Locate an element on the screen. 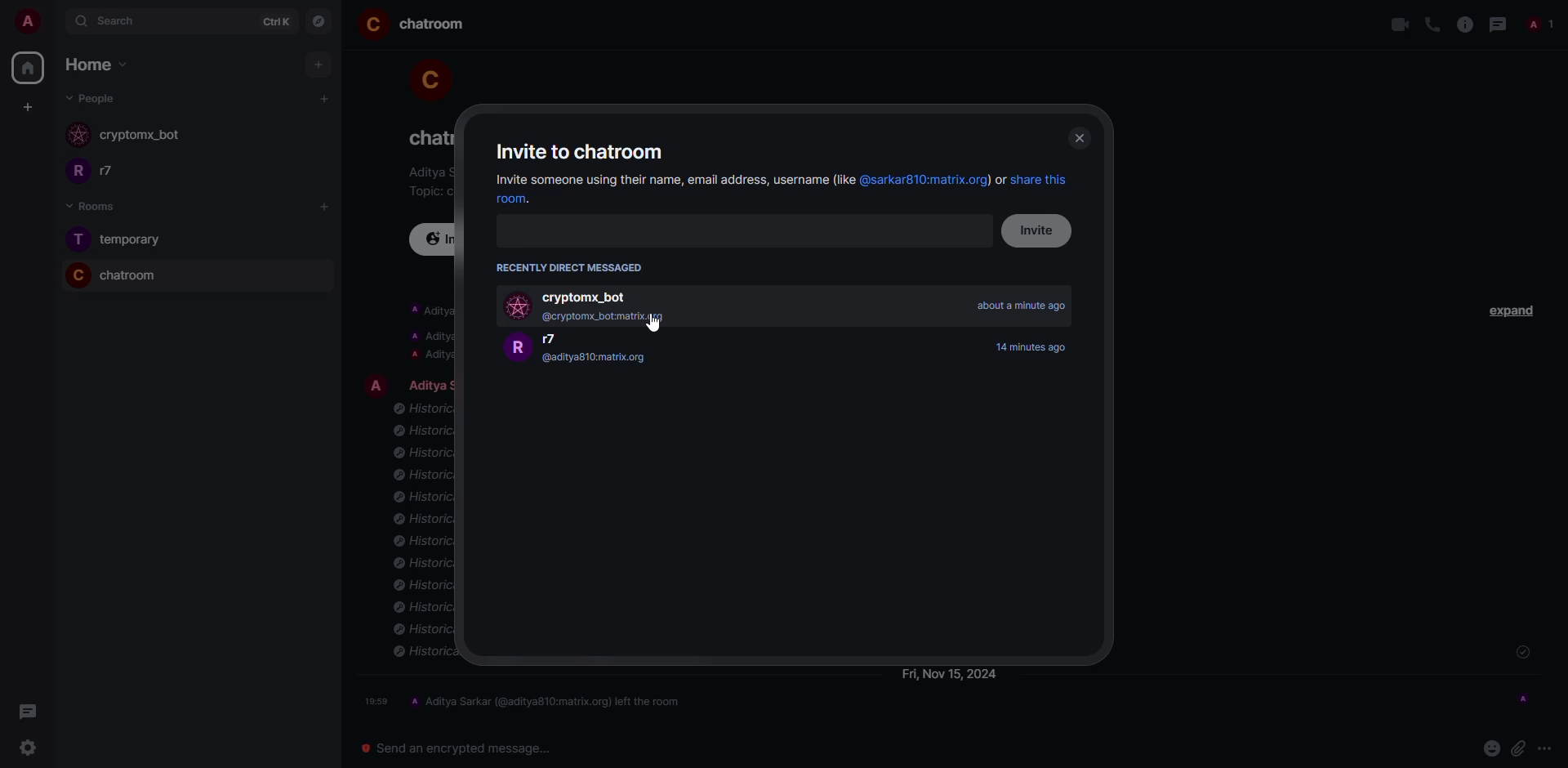  voice call is located at coordinates (1432, 25).